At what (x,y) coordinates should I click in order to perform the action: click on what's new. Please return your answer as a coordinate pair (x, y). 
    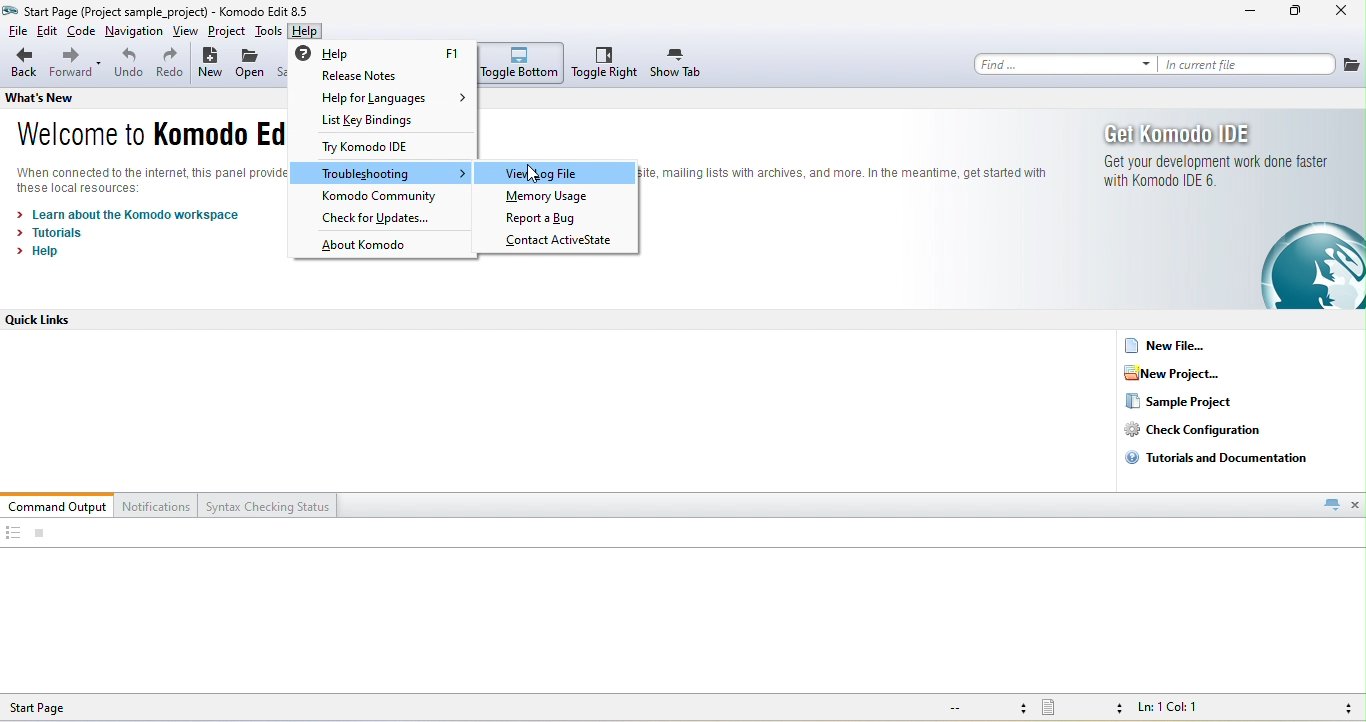
    Looking at the image, I should click on (57, 97).